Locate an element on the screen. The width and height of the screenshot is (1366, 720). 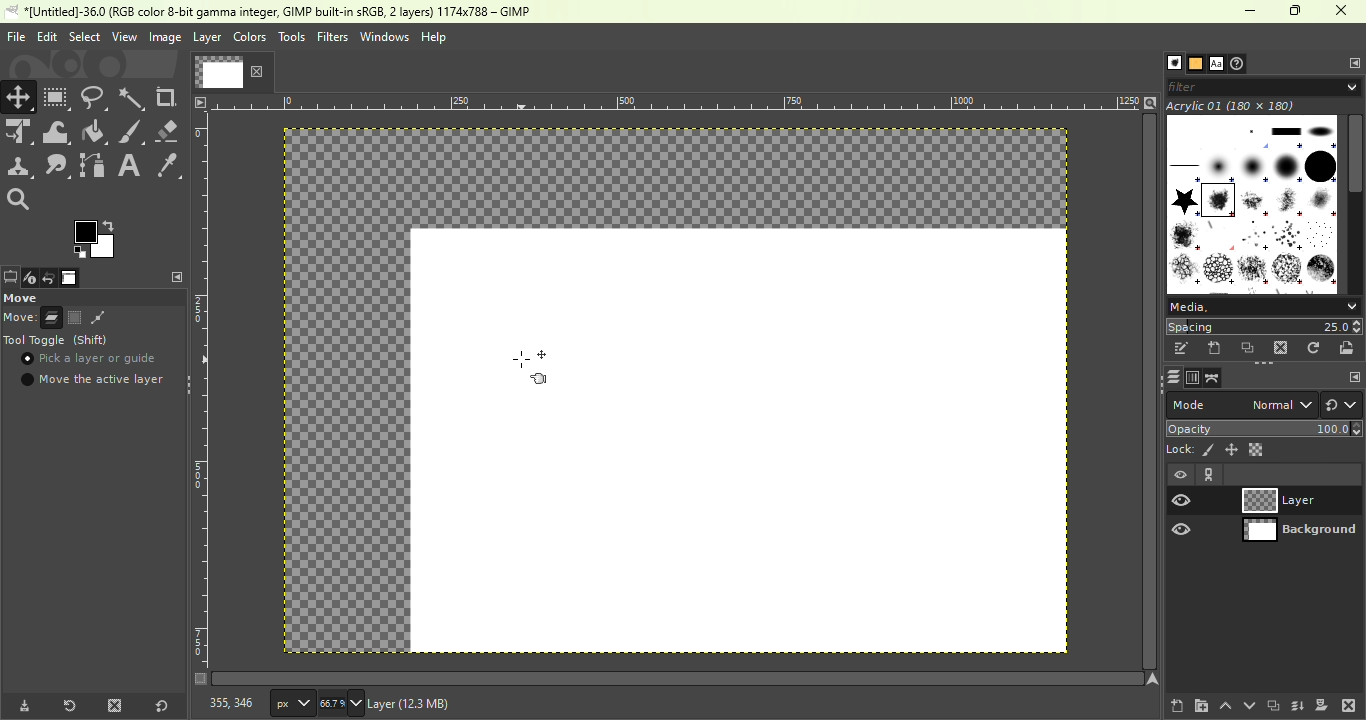
Filters is located at coordinates (332, 37).